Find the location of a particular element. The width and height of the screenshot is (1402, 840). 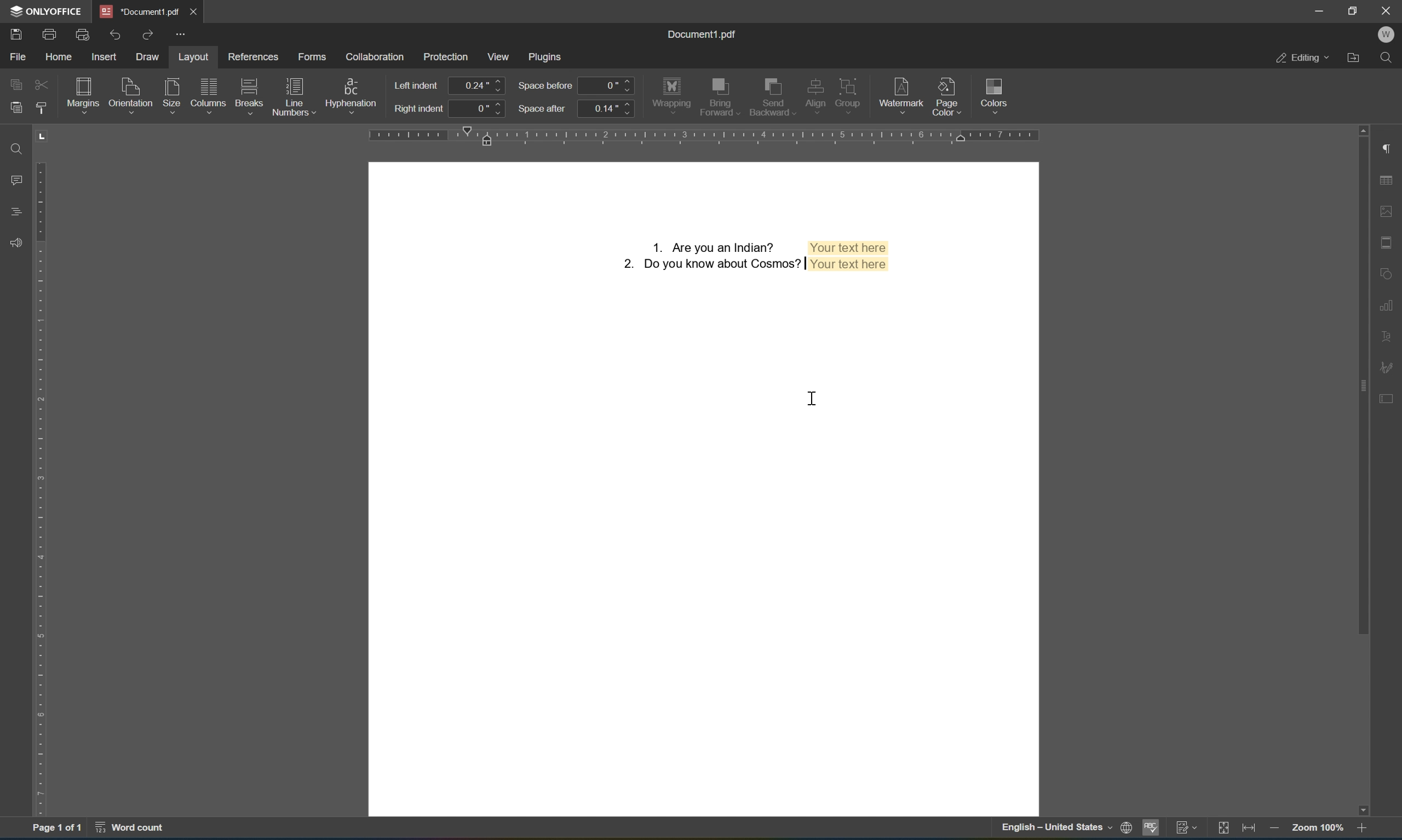

document1.pdf is located at coordinates (704, 36).